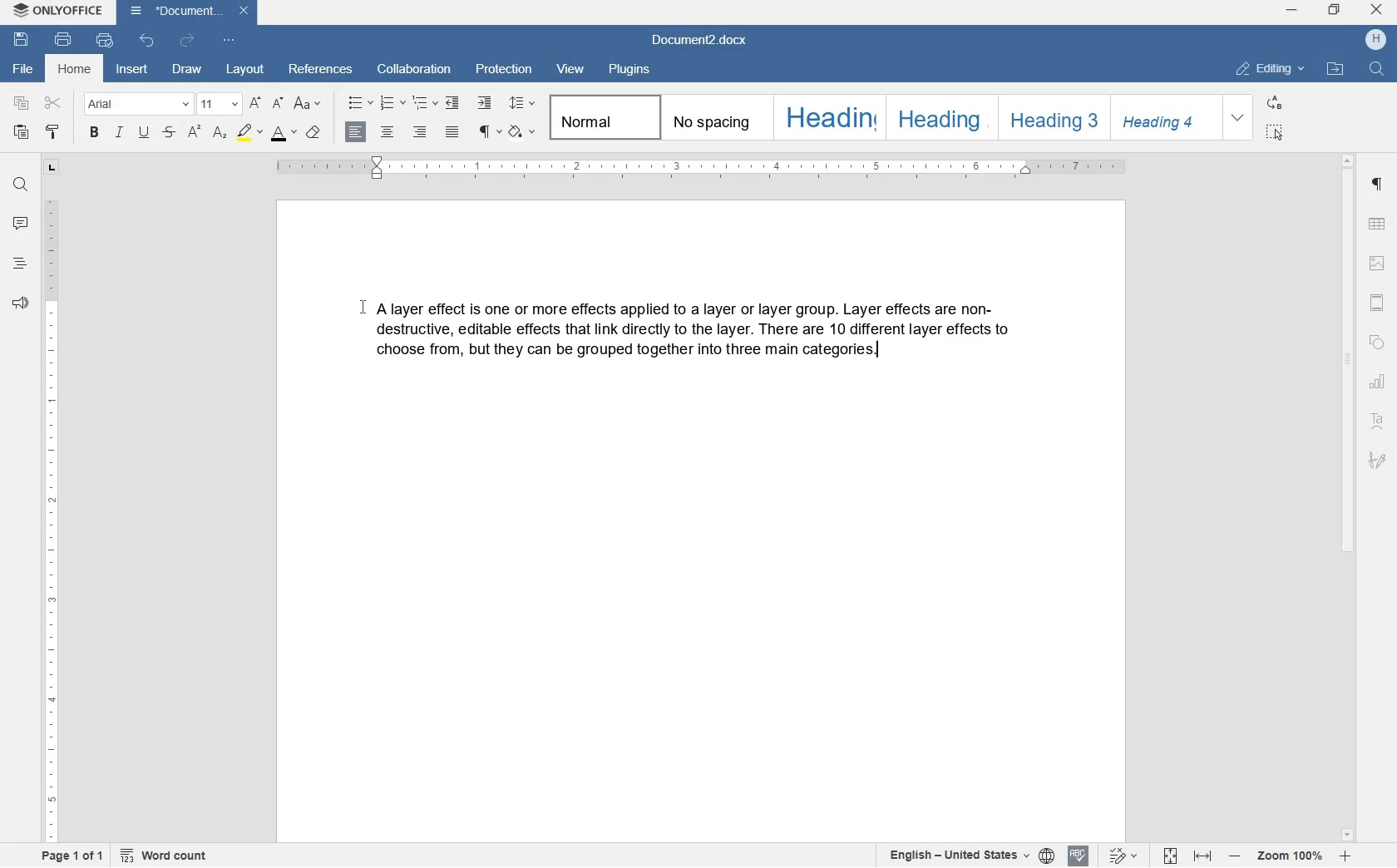  I want to click on bullets, so click(359, 103).